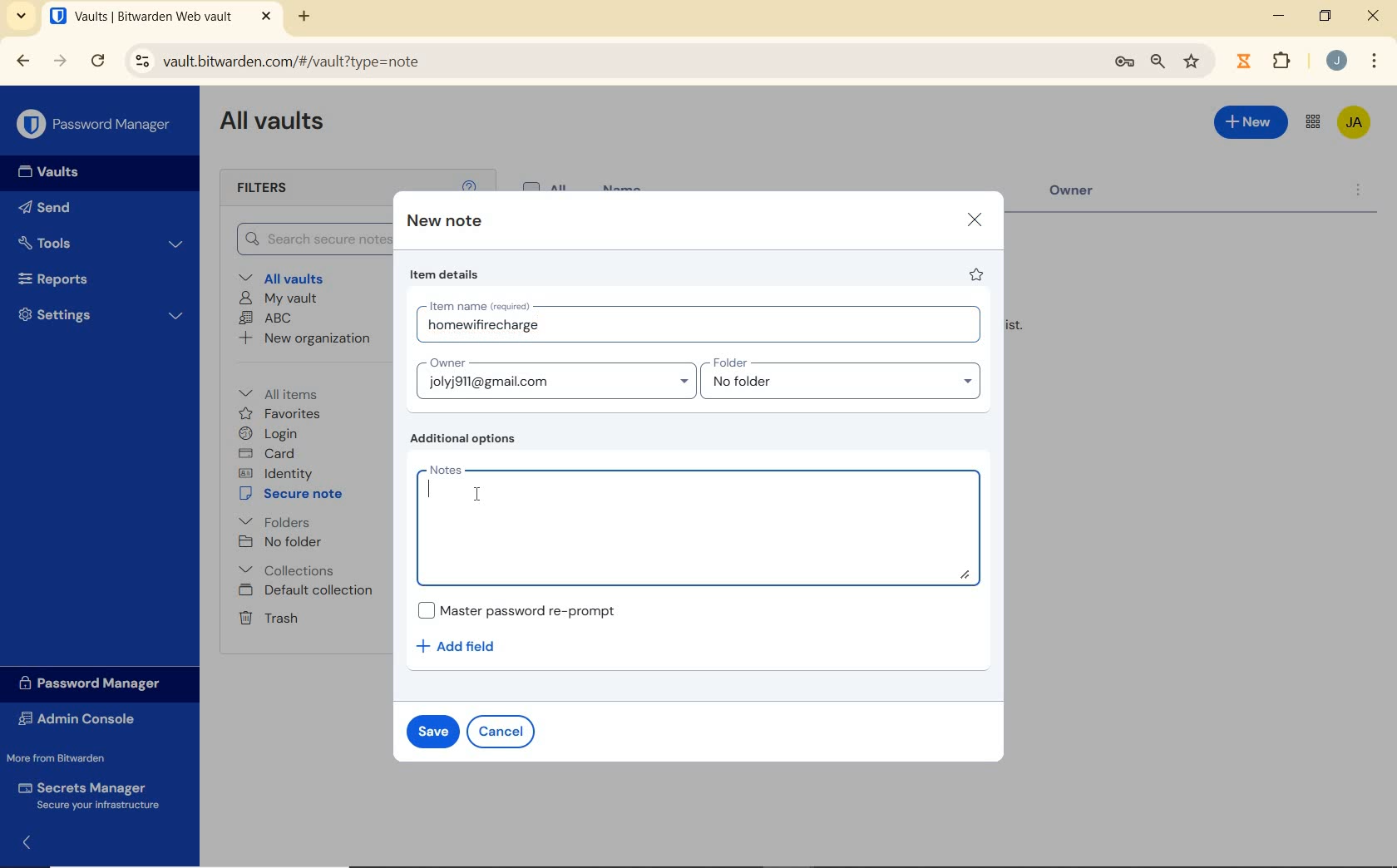  What do you see at coordinates (1335, 60) in the screenshot?
I see `Account` at bounding box center [1335, 60].